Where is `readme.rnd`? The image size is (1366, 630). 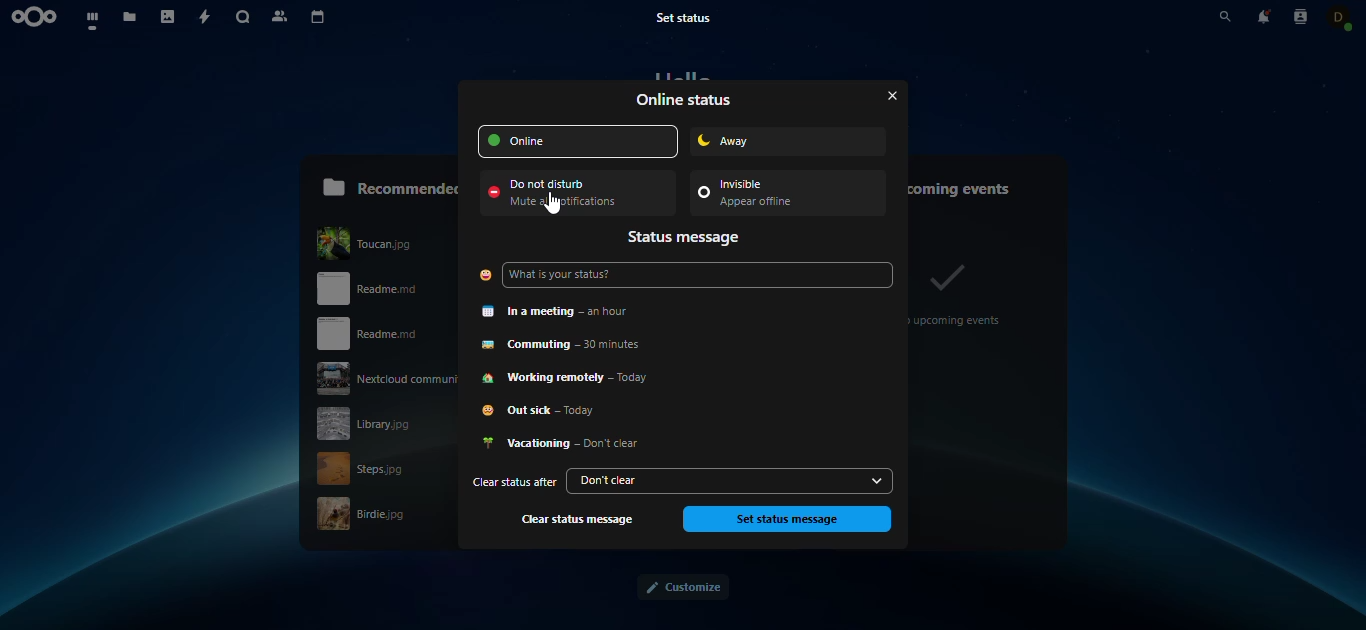 readme.rnd is located at coordinates (377, 336).